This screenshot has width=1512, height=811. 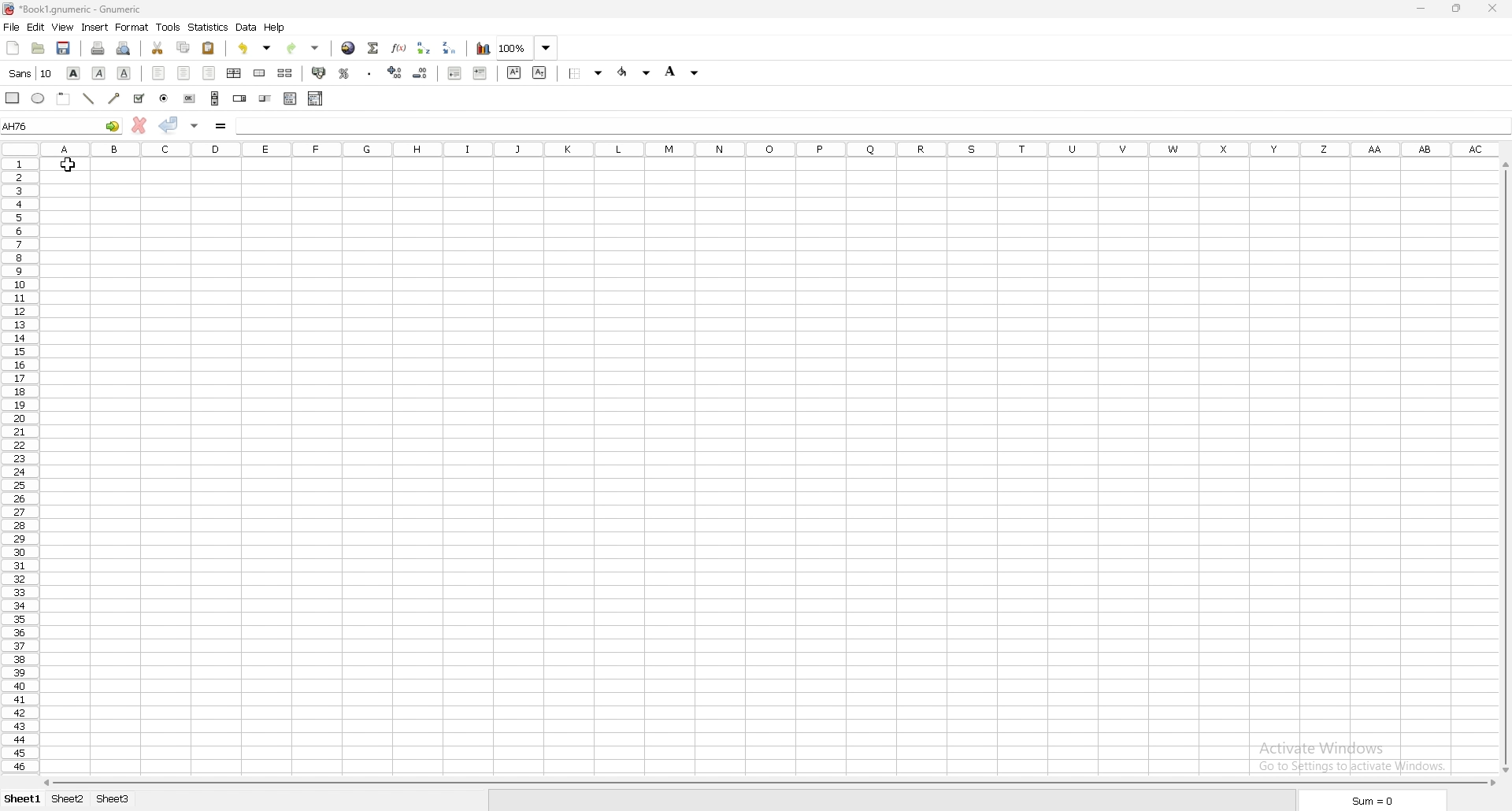 I want to click on statistics, so click(x=209, y=27).